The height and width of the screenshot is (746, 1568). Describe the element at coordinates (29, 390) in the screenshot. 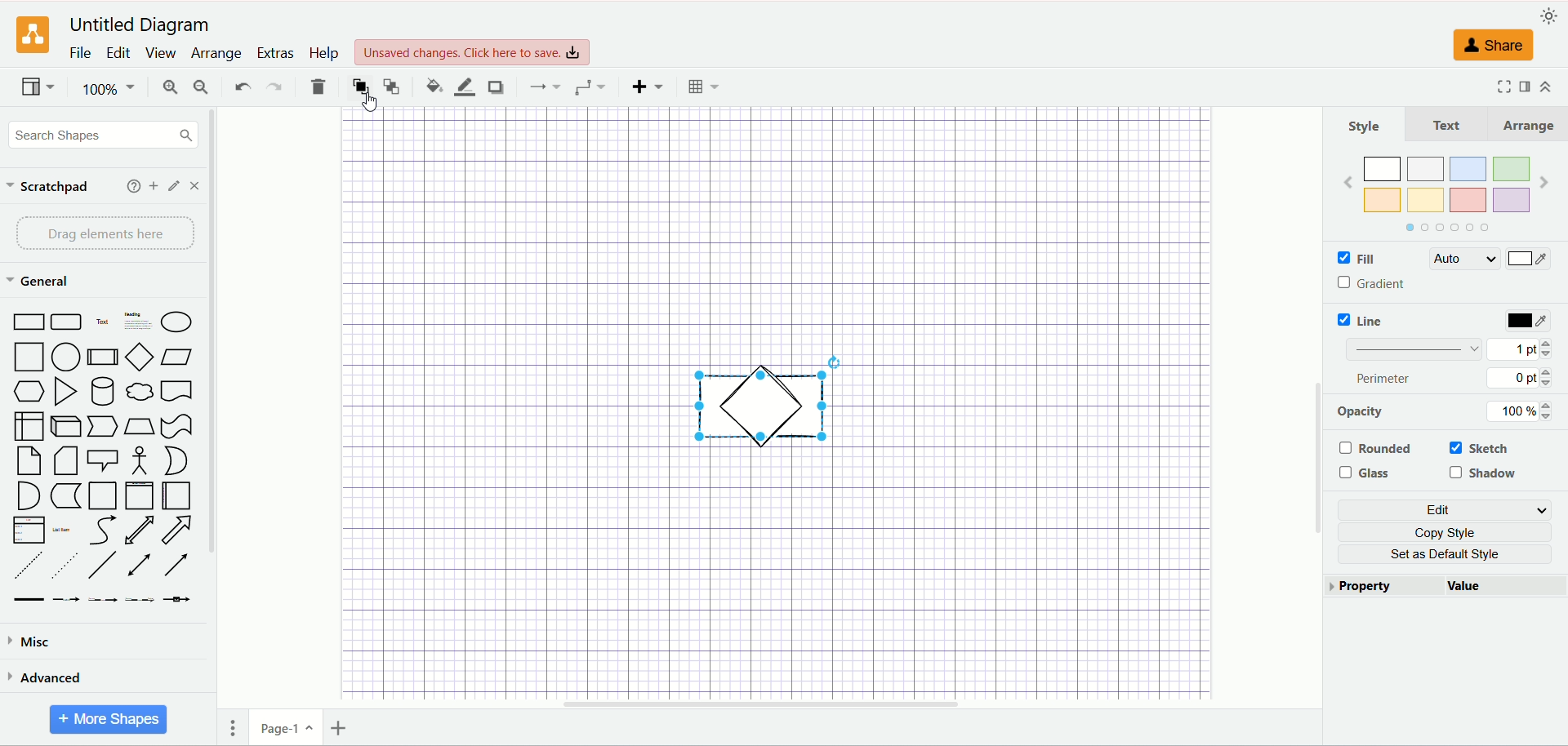

I see `Hexagon` at that location.